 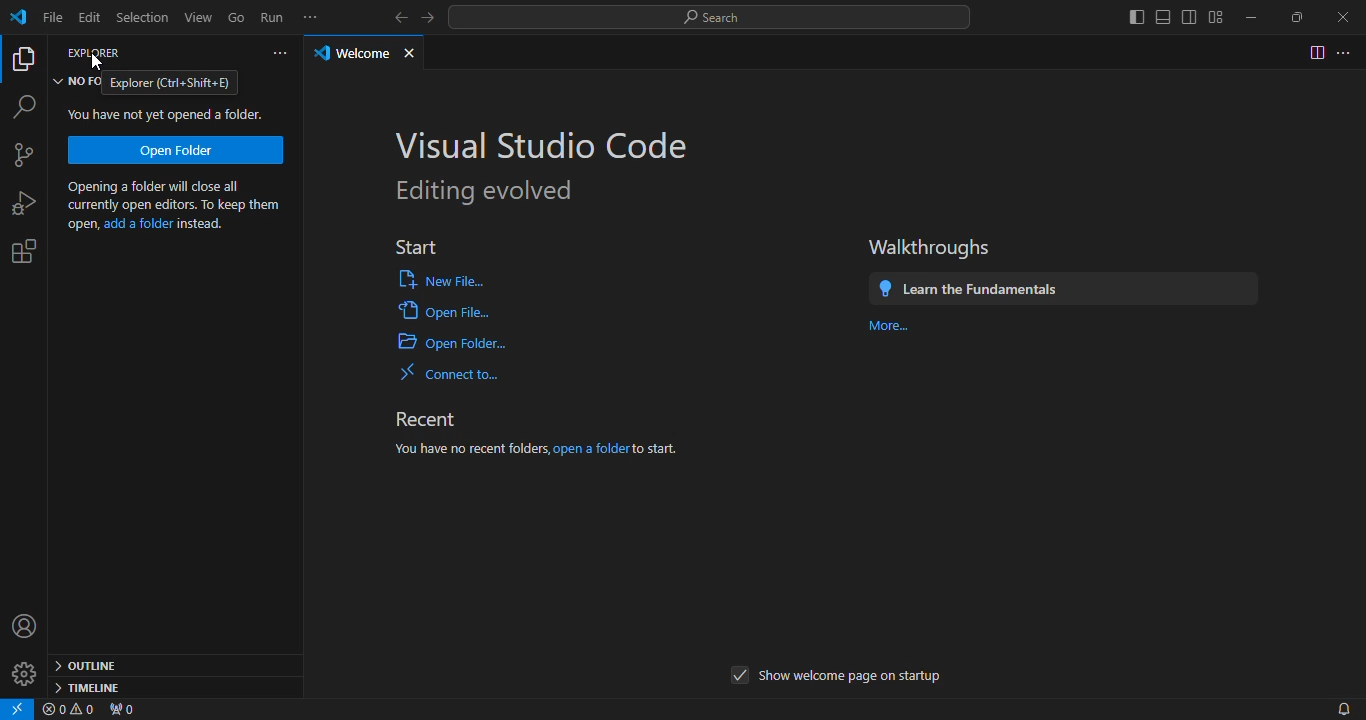 What do you see at coordinates (20, 678) in the screenshot?
I see `settings` at bounding box center [20, 678].